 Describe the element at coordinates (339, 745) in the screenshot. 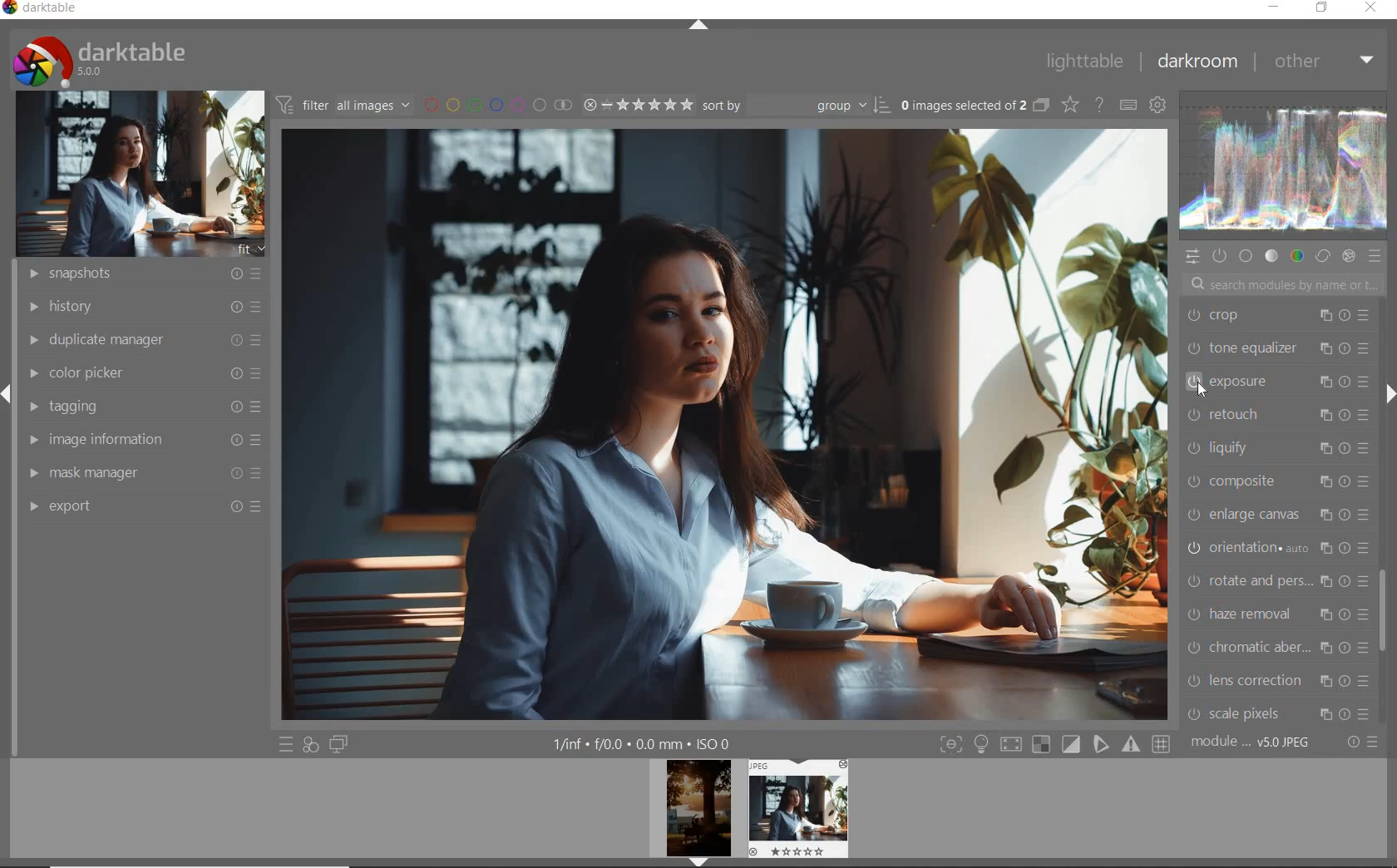

I see `DISPLAY A SECOND DARKROOM IMAGE WINDOW` at that location.